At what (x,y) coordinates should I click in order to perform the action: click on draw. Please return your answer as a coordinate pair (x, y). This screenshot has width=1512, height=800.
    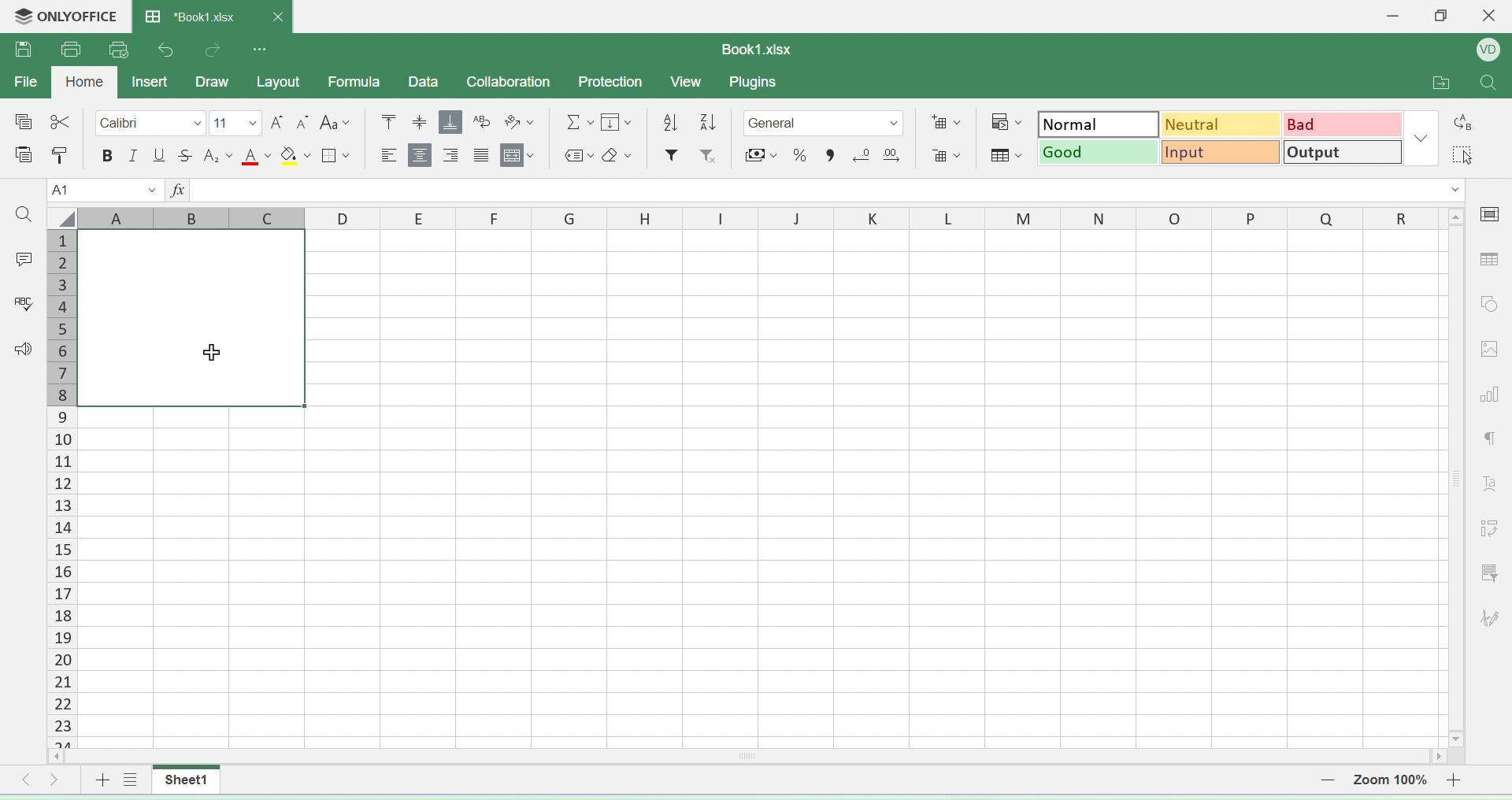
    Looking at the image, I should click on (213, 80).